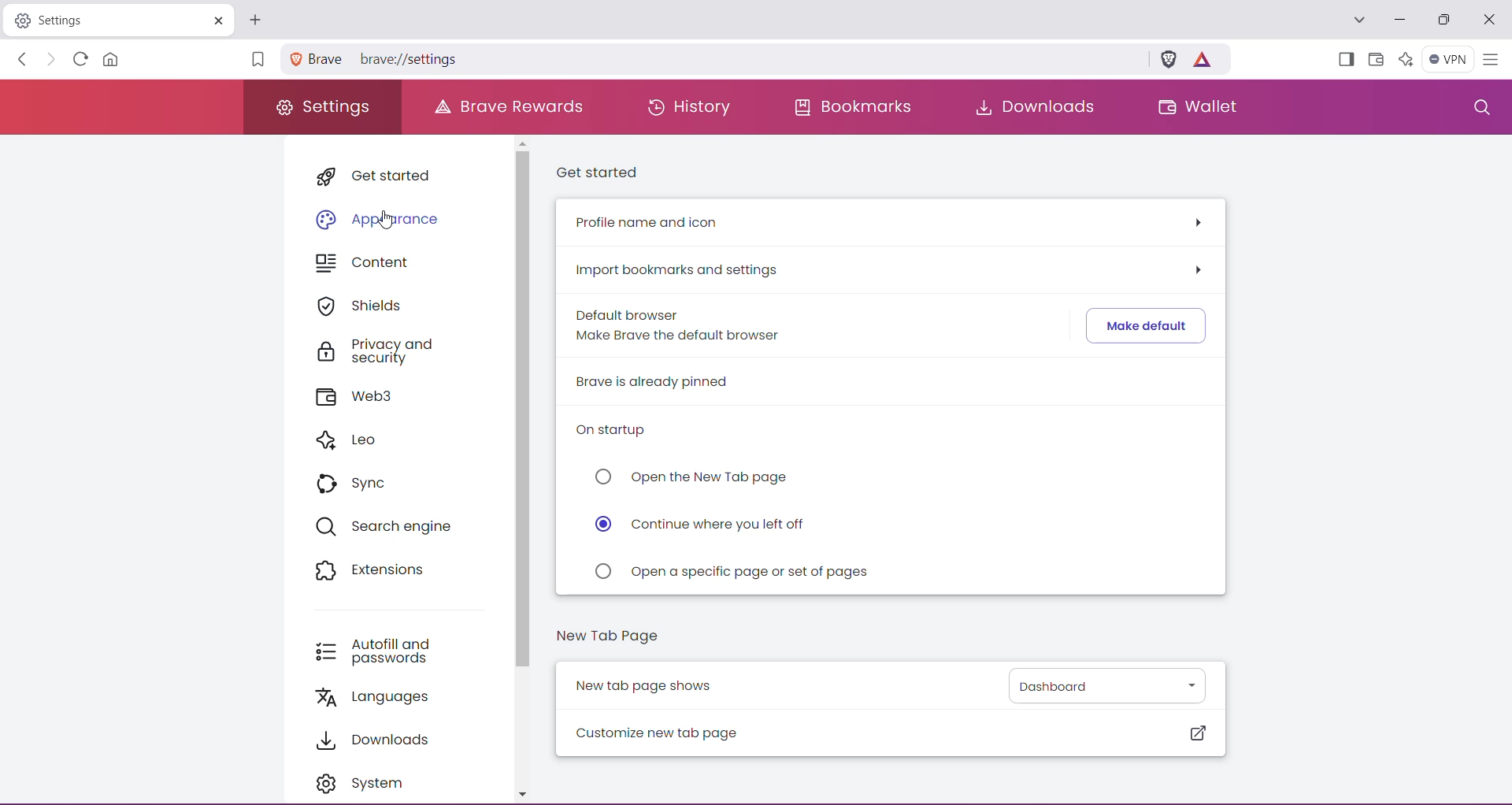  What do you see at coordinates (51, 60) in the screenshot?
I see `Click to go forward, hold to see history` at bounding box center [51, 60].